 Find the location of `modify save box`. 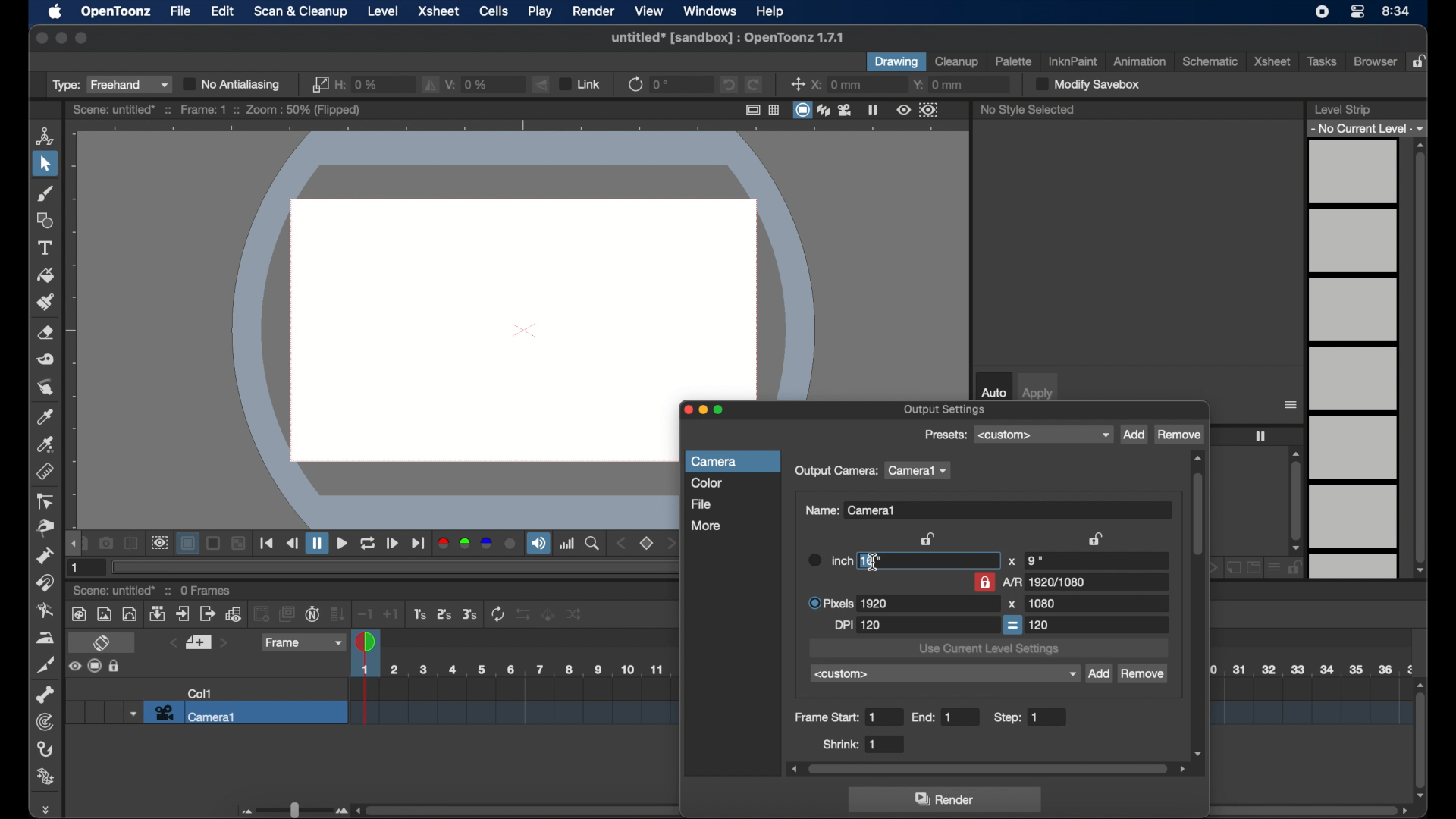

modify save box is located at coordinates (1086, 84).